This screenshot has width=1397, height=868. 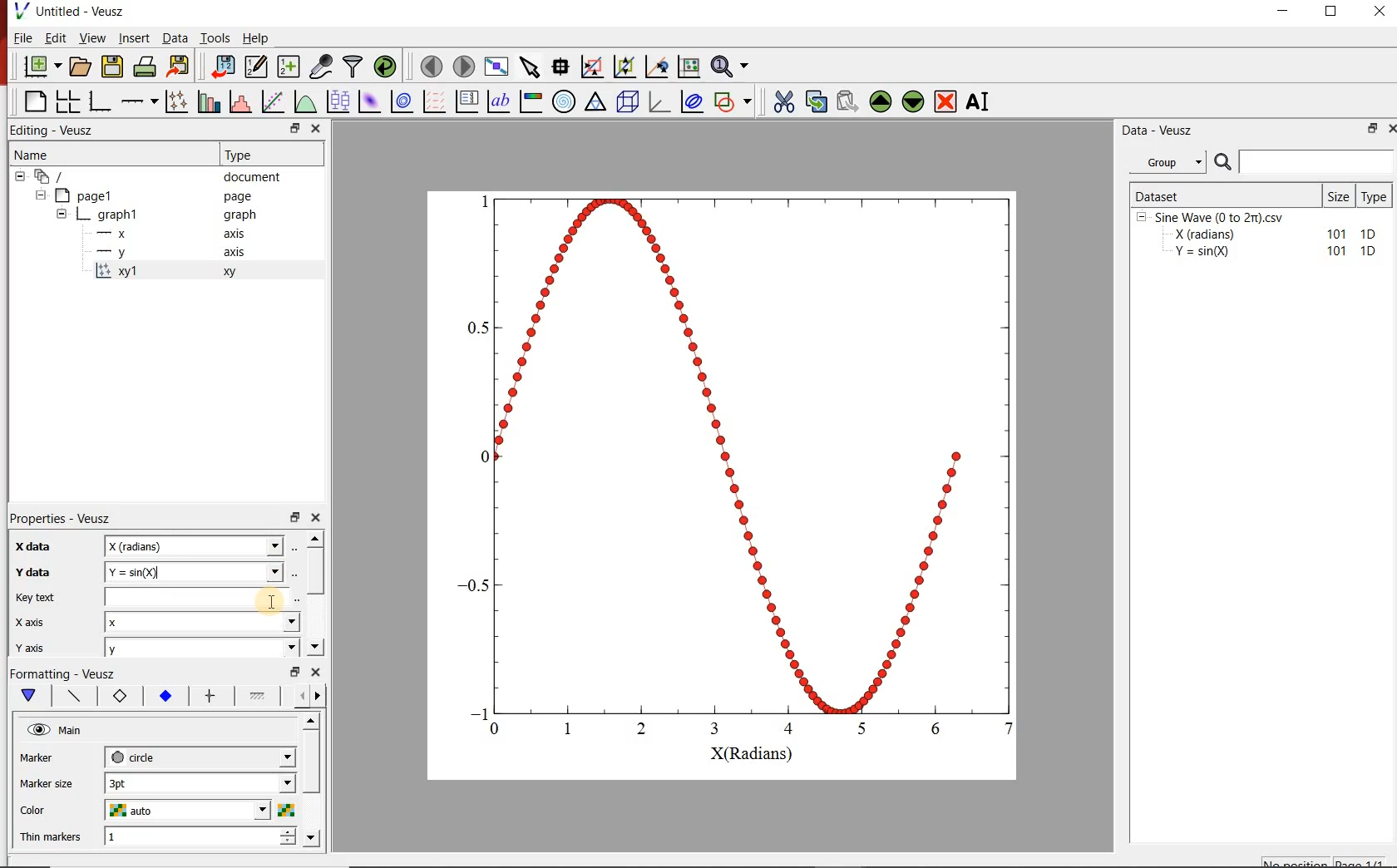 What do you see at coordinates (112, 67) in the screenshot?
I see `save document` at bounding box center [112, 67].